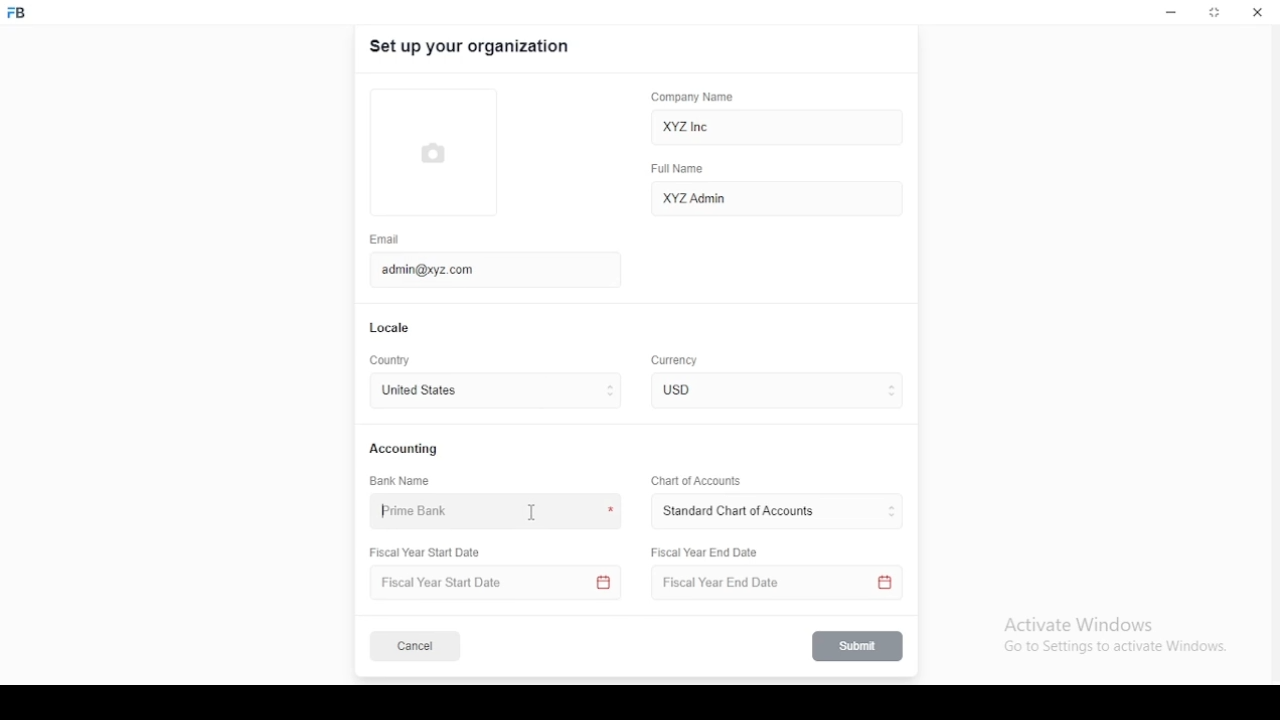 The image size is (1280, 720). Describe the element at coordinates (415, 647) in the screenshot. I see `cancel` at that location.